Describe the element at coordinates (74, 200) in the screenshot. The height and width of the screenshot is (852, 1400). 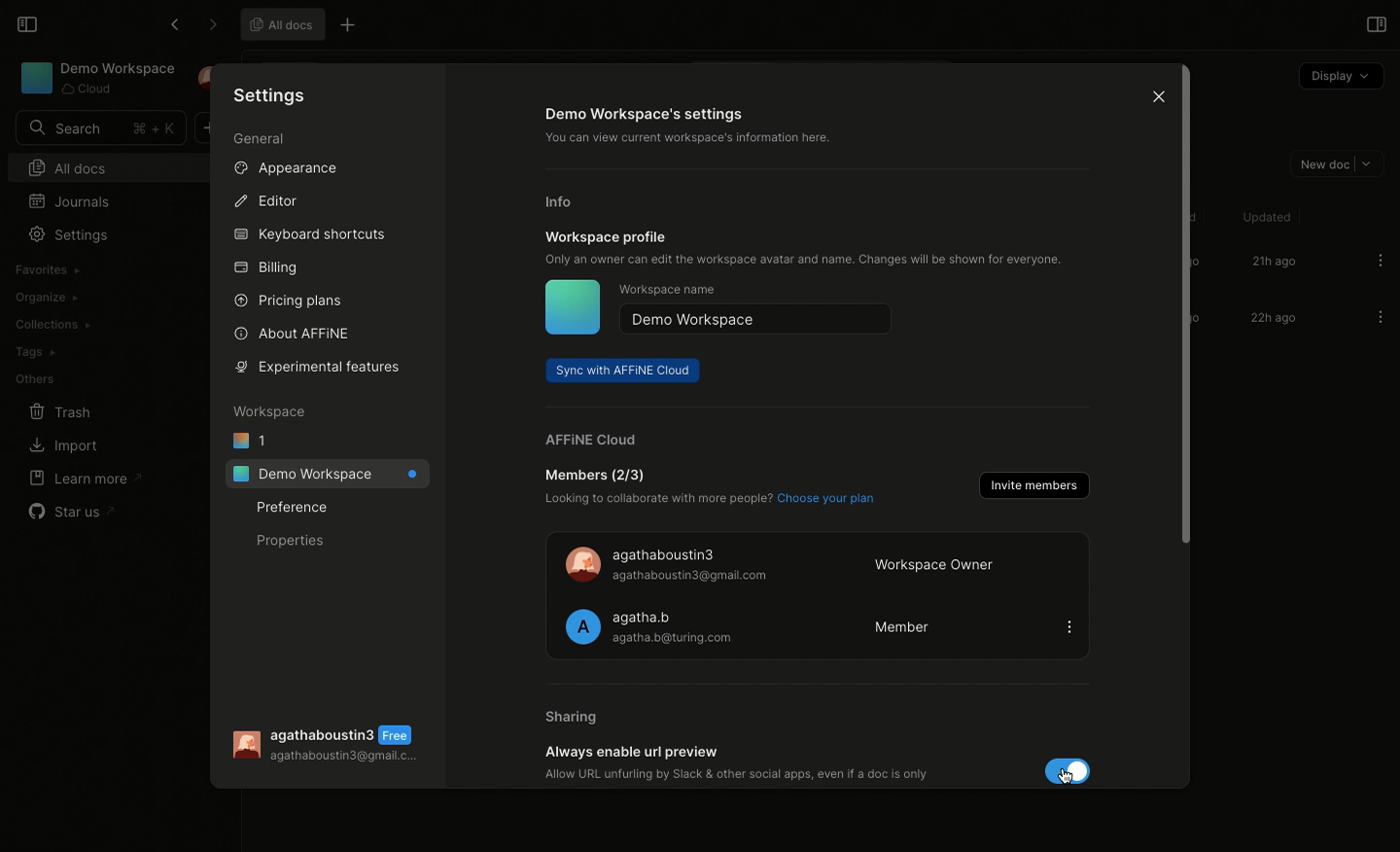
I see `Journals` at that location.